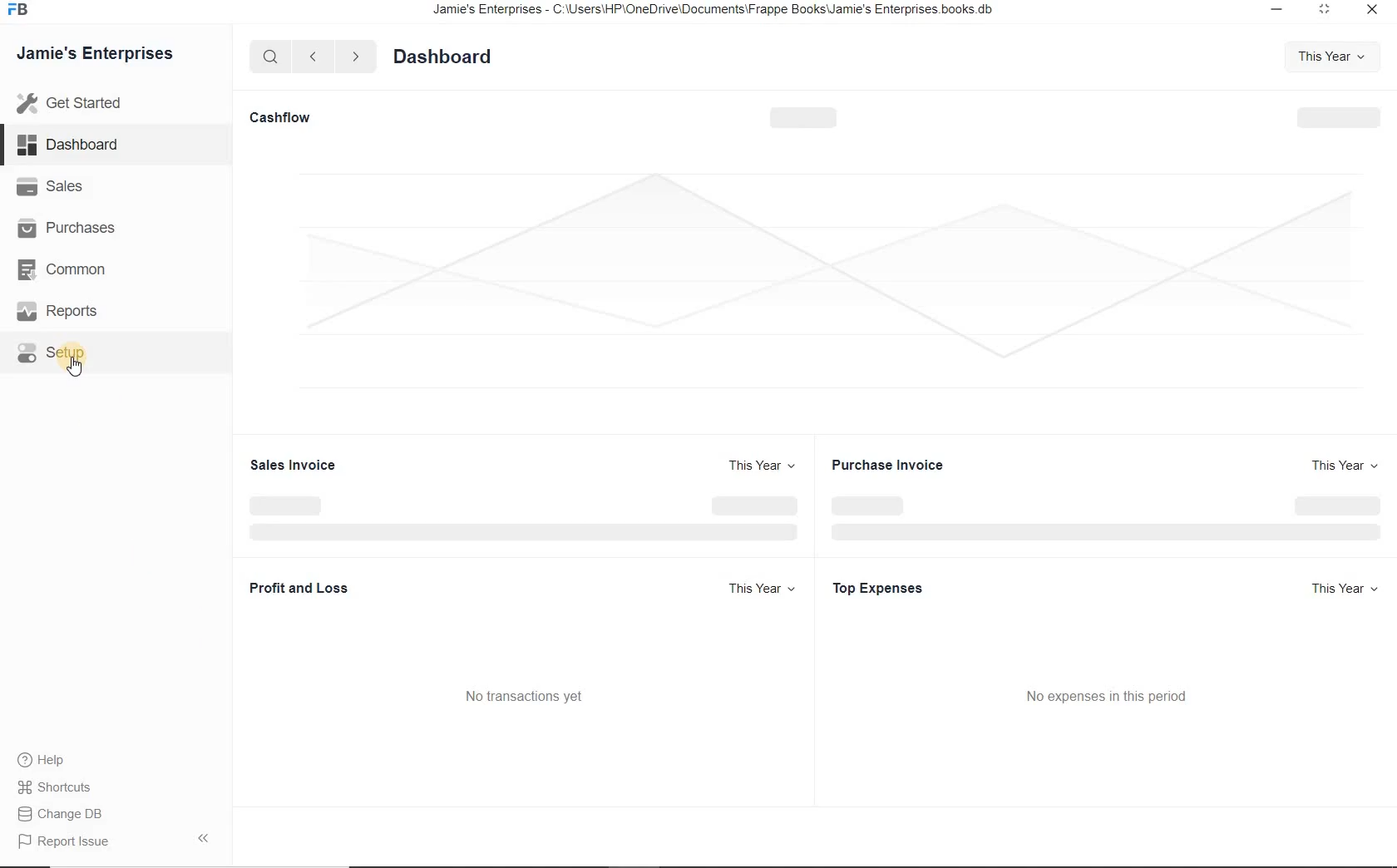 This screenshot has width=1397, height=868. Describe the element at coordinates (1272, 10) in the screenshot. I see `minimize` at that location.